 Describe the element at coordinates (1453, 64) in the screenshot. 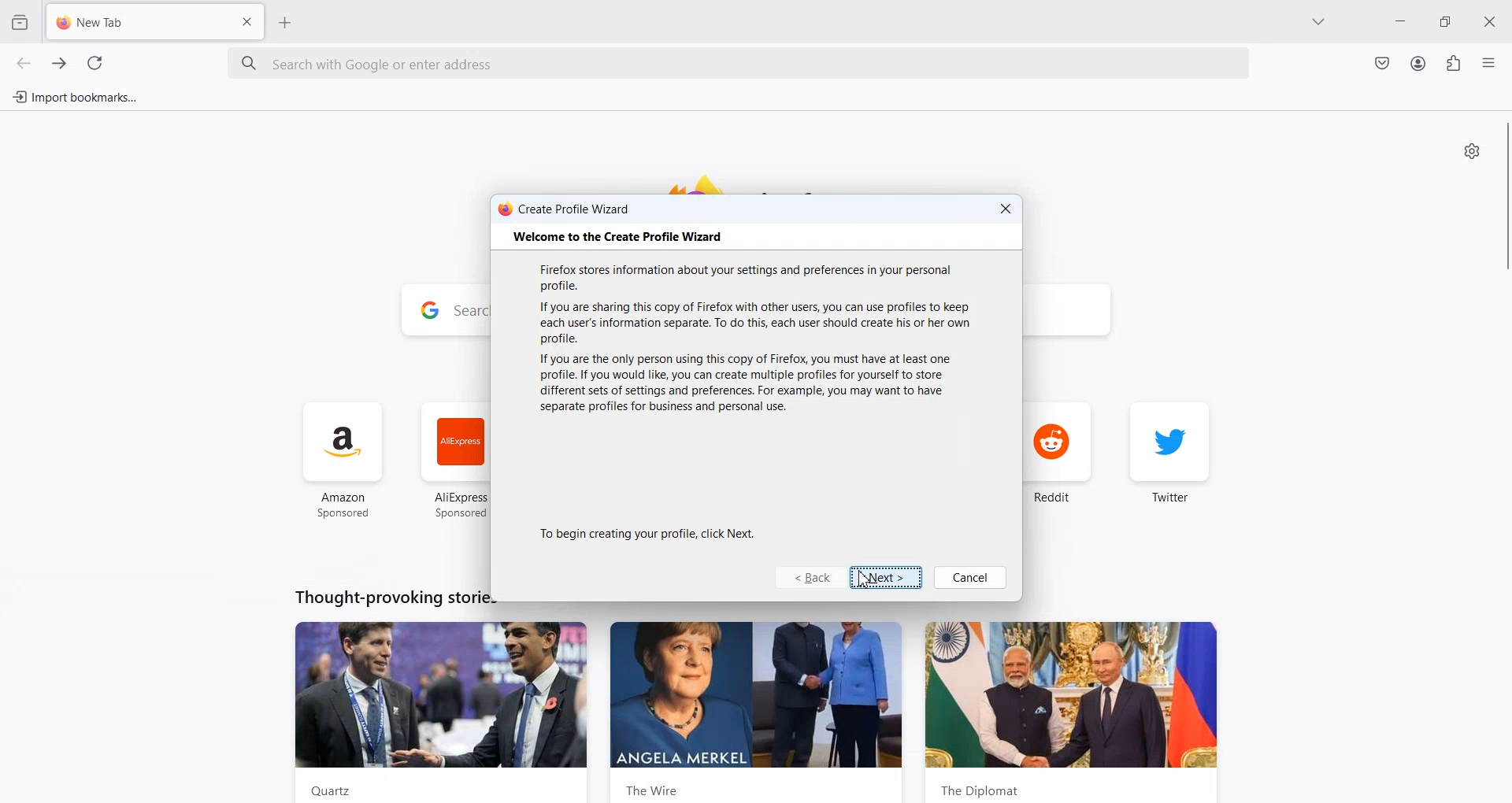

I see `Extensions` at that location.